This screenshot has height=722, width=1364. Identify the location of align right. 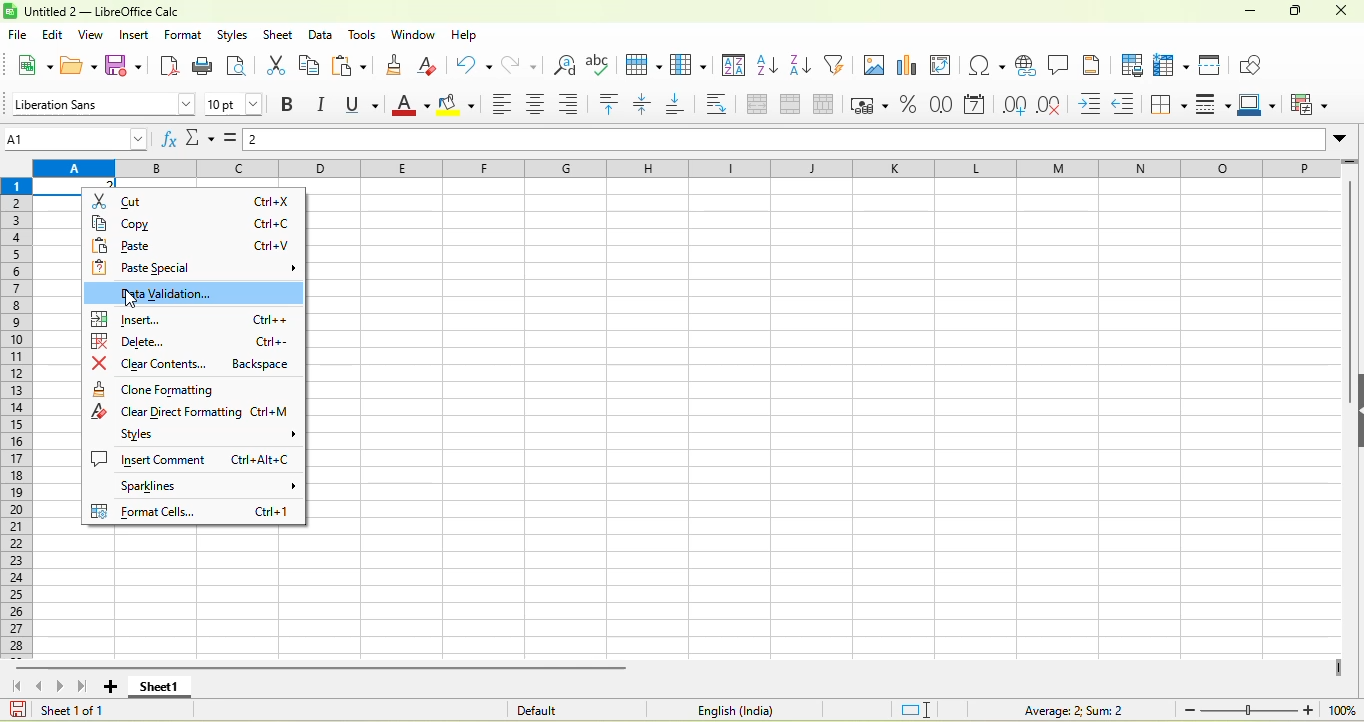
(575, 104).